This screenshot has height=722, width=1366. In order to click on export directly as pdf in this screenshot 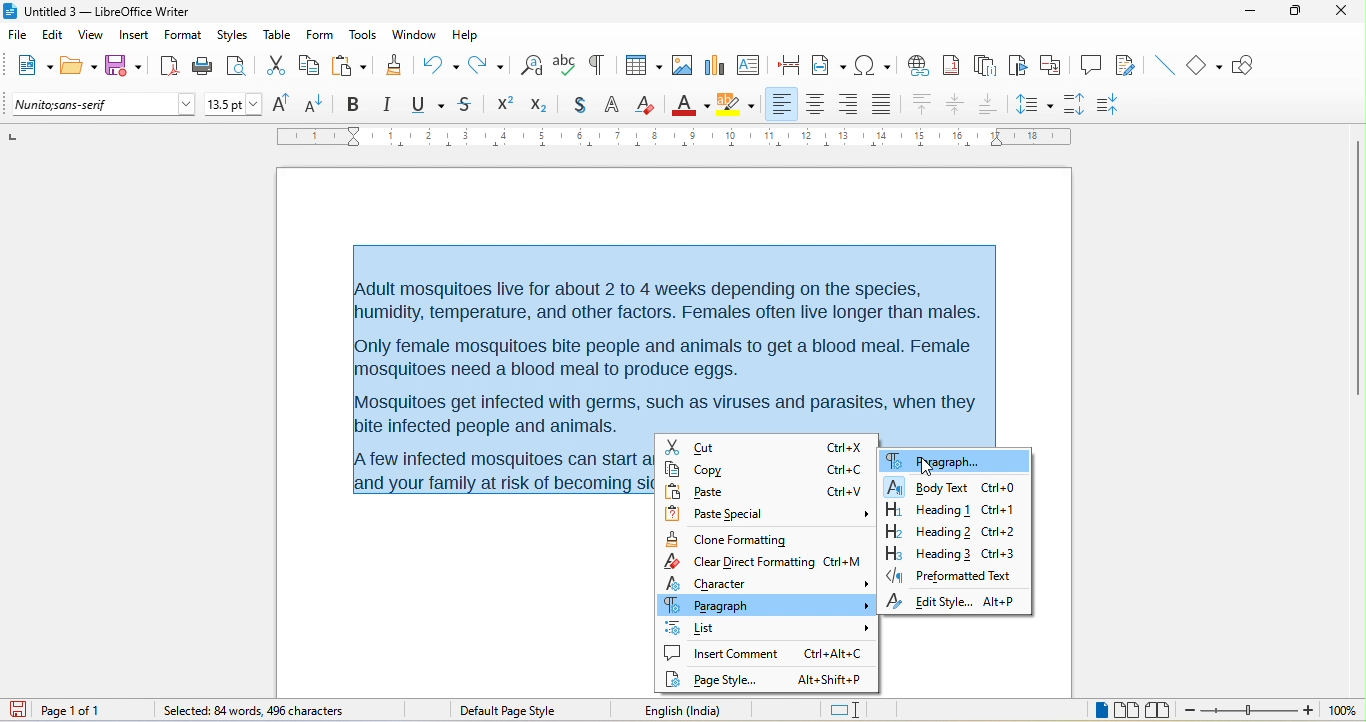, I will do `click(168, 65)`.